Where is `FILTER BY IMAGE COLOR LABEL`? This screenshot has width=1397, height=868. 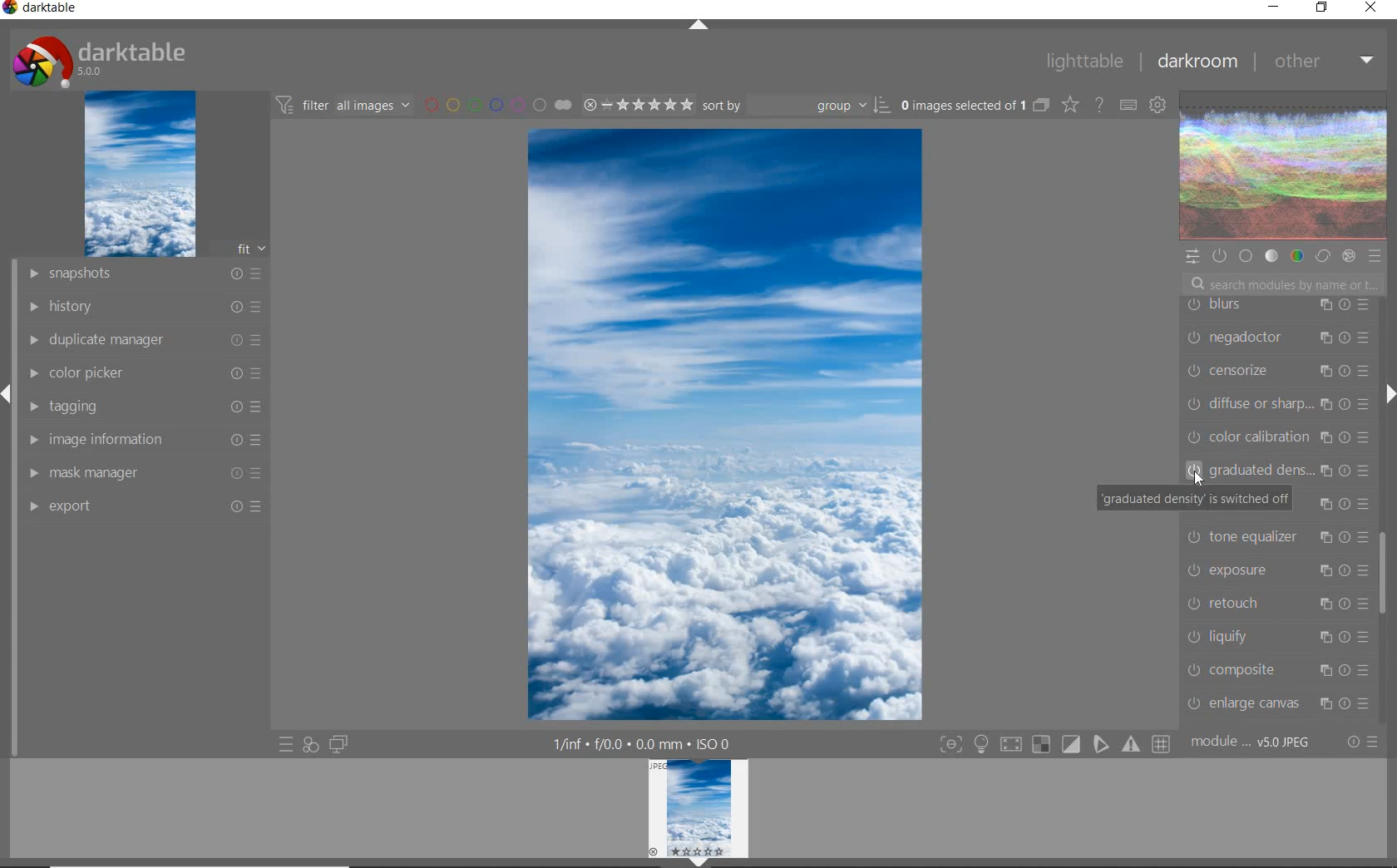
FILTER BY IMAGE COLOR LABEL is located at coordinates (496, 104).